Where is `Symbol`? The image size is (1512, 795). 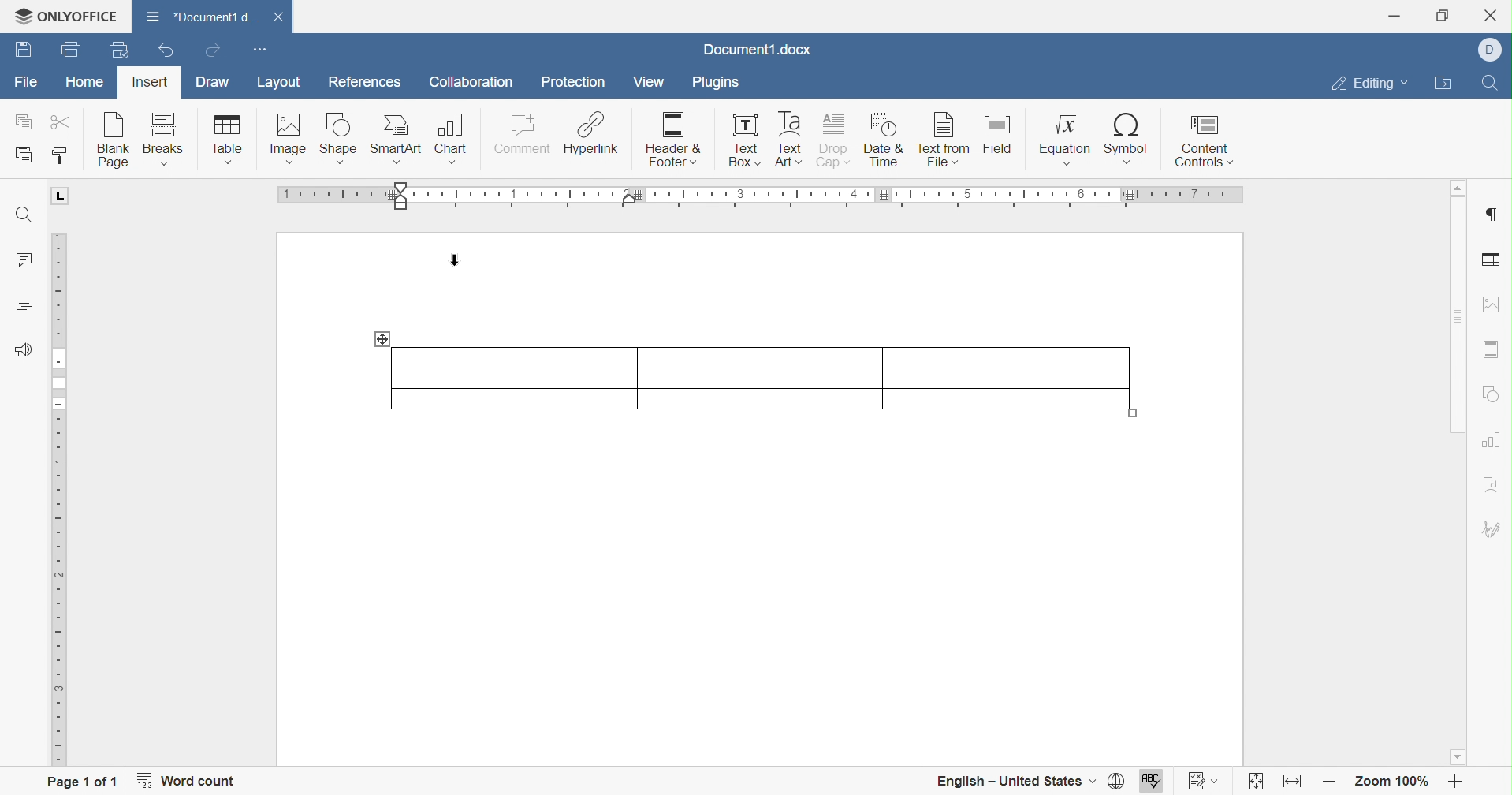
Symbol is located at coordinates (1128, 137).